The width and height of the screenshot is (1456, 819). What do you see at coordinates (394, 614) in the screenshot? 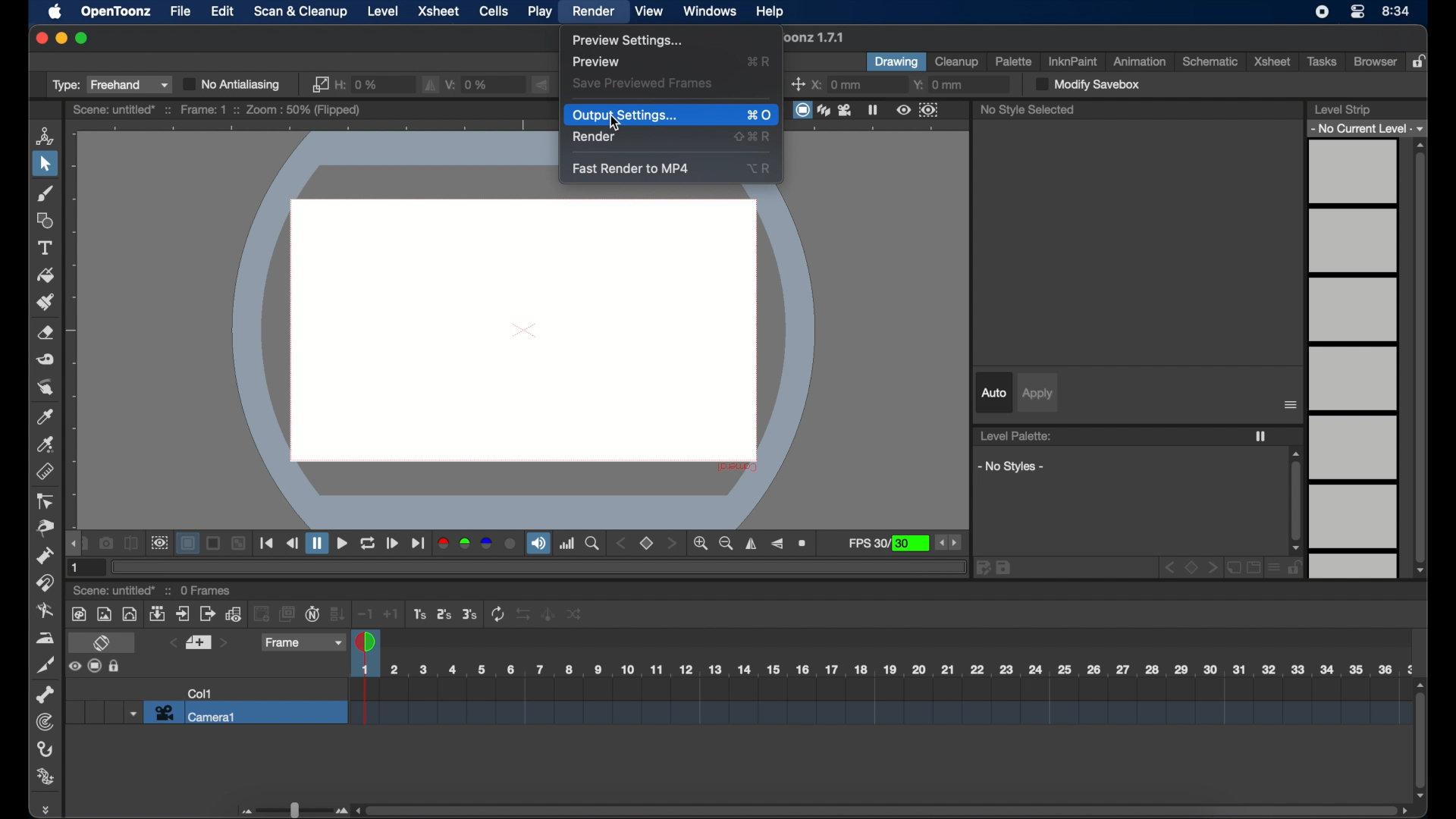
I see `` at bounding box center [394, 614].